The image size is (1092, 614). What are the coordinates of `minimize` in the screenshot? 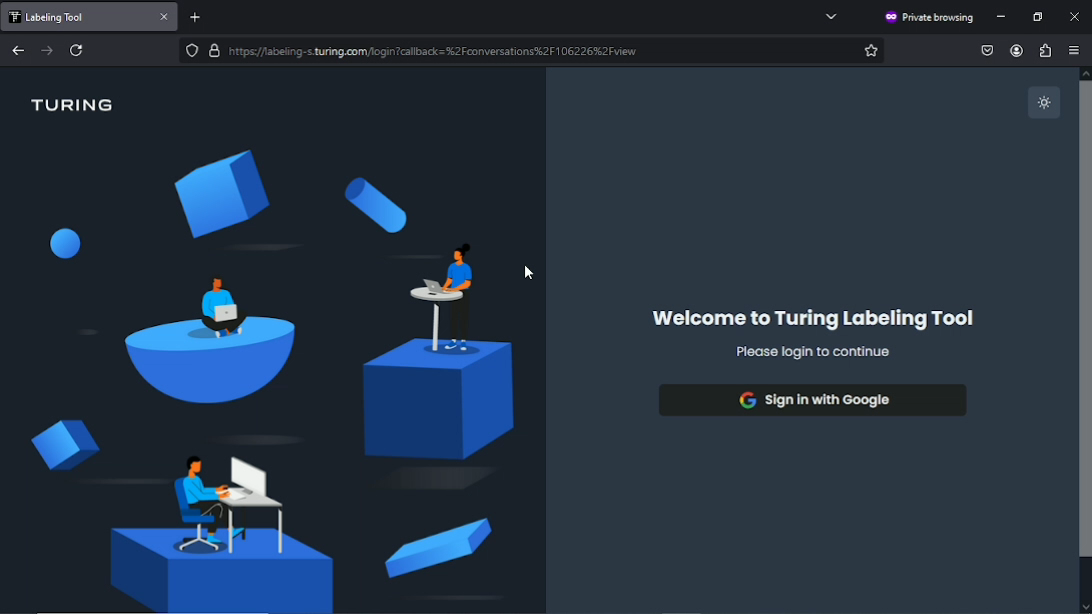 It's located at (1003, 17).